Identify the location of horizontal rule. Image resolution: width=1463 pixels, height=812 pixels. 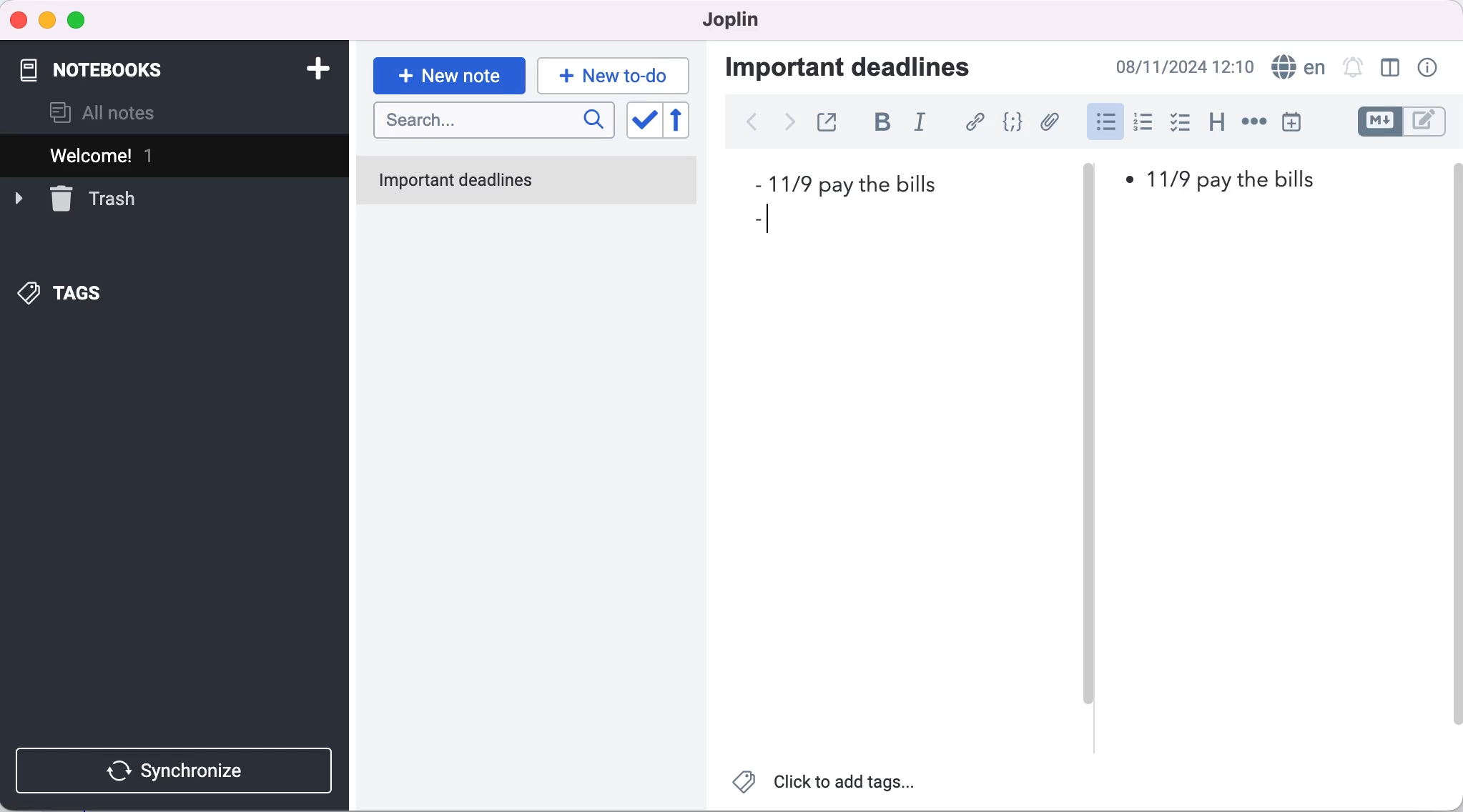
(1253, 123).